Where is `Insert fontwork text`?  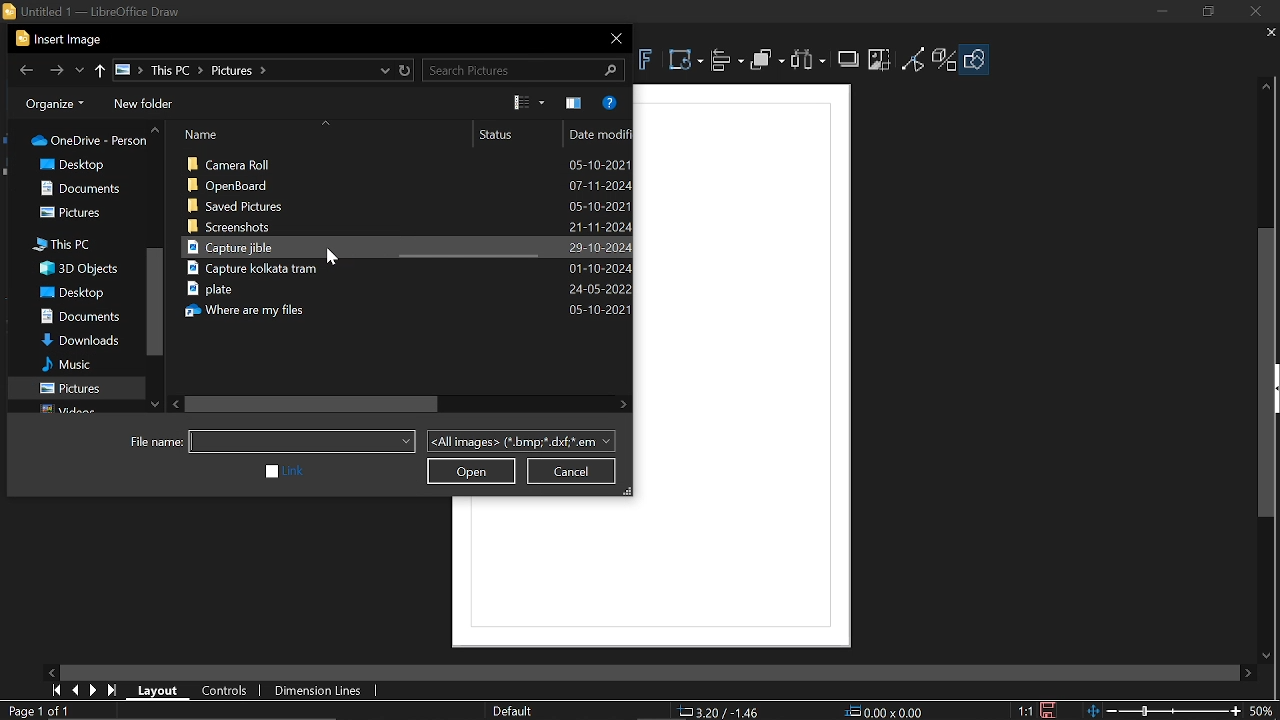 Insert fontwork text is located at coordinates (647, 60).